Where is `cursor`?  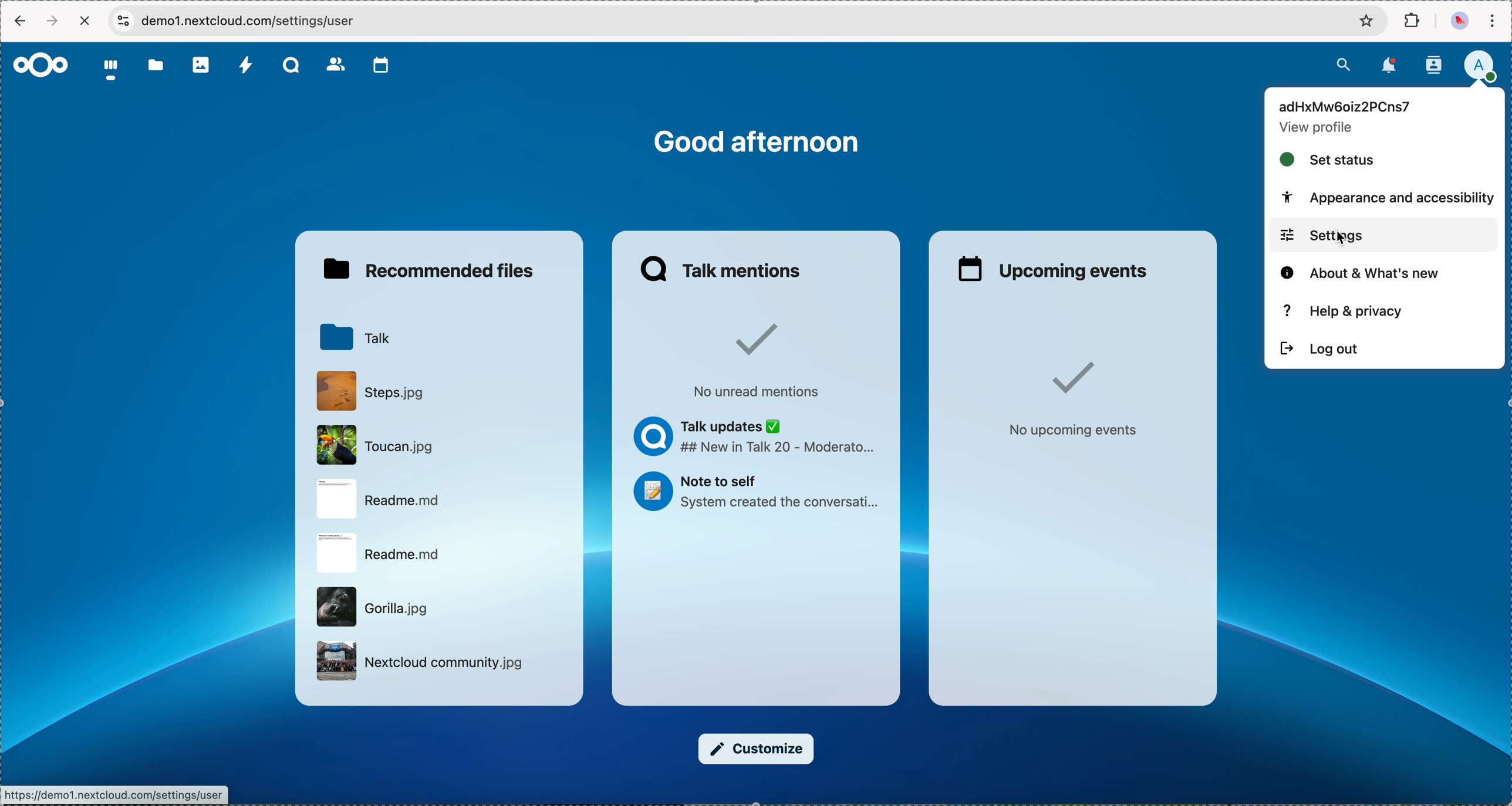 cursor is located at coordinates (1348, 241).